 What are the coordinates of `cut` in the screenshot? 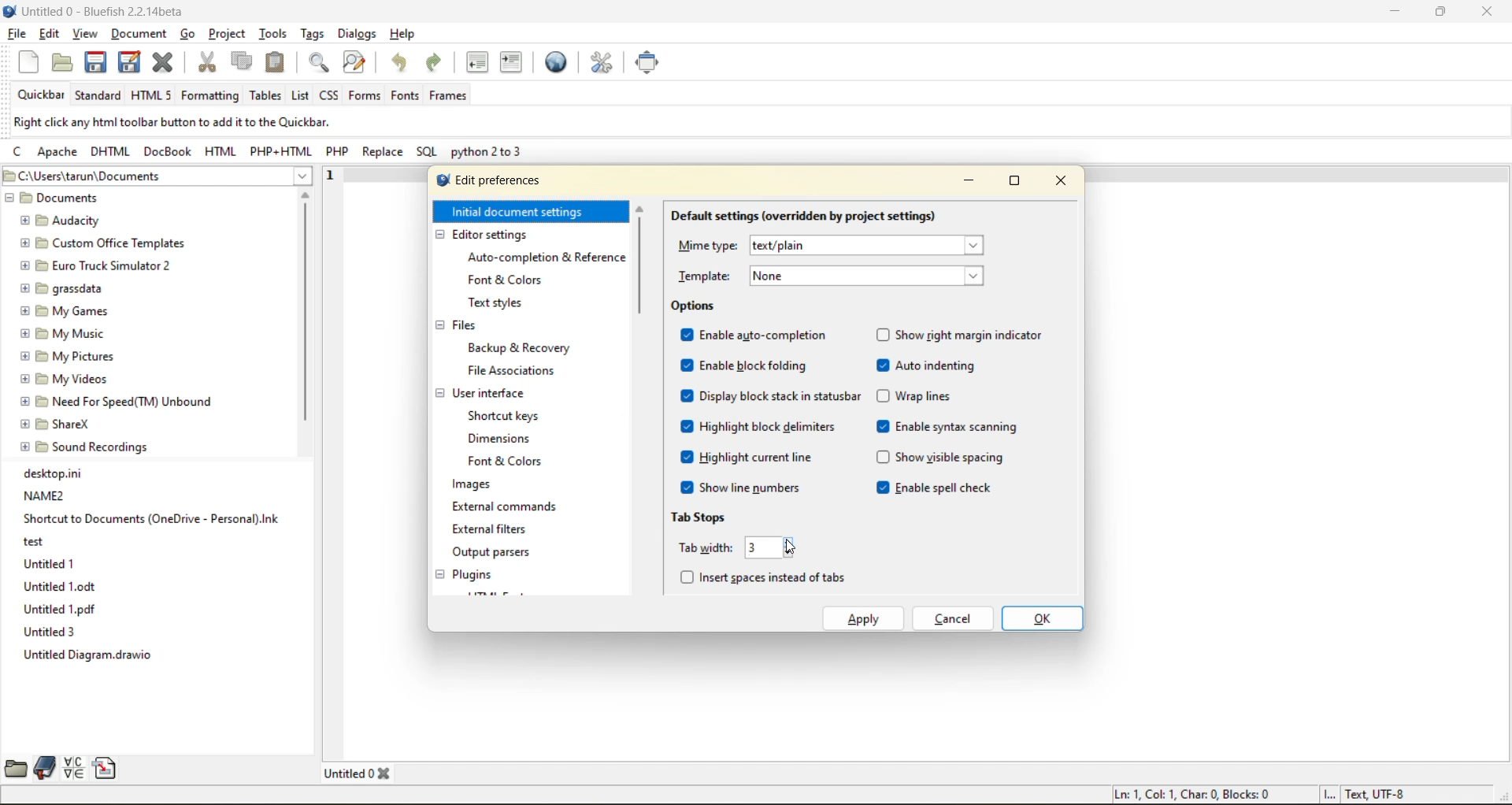 It's located at (209, 63).